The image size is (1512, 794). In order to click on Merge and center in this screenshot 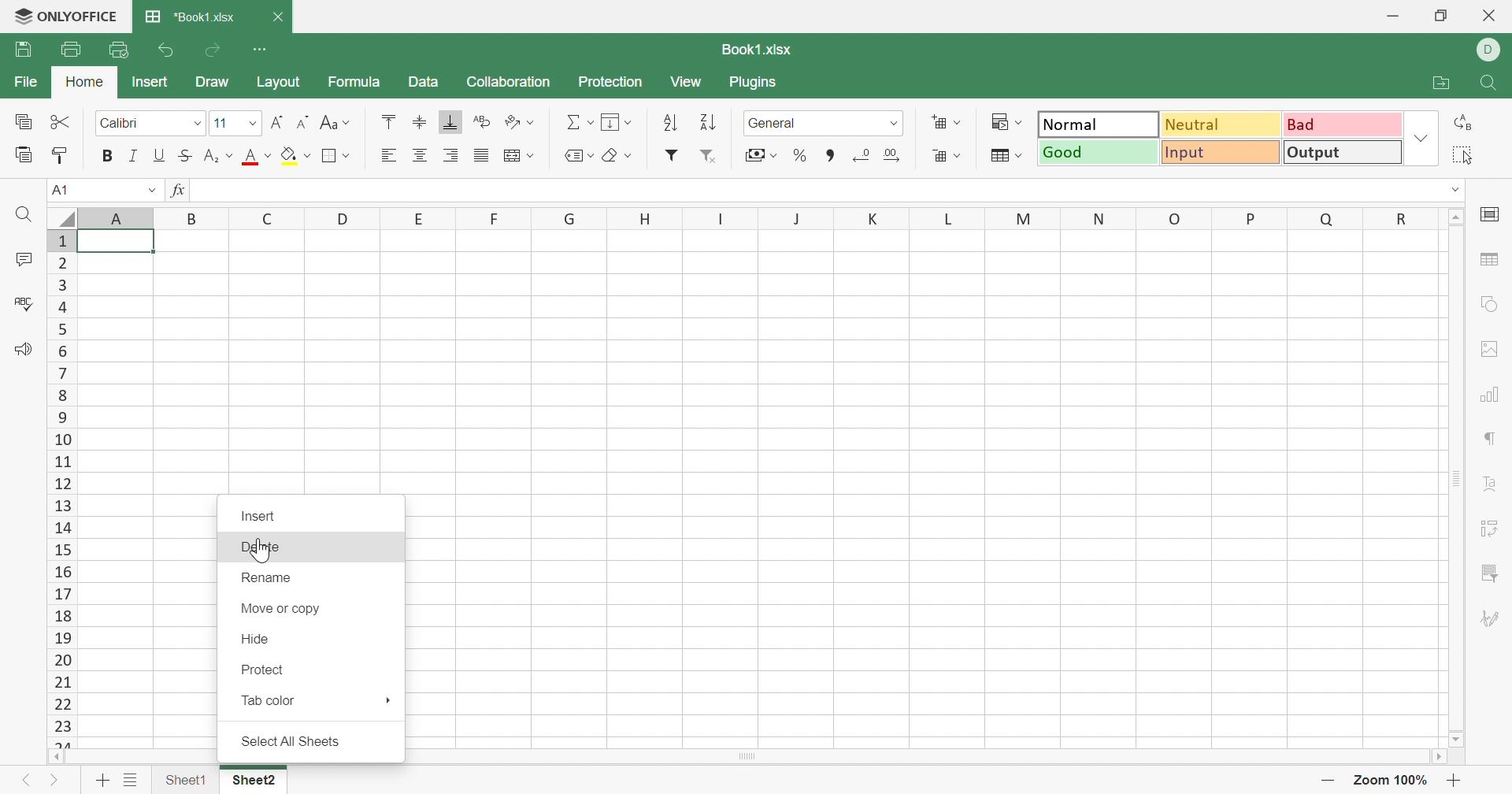, I will do `click(514, 155)`.